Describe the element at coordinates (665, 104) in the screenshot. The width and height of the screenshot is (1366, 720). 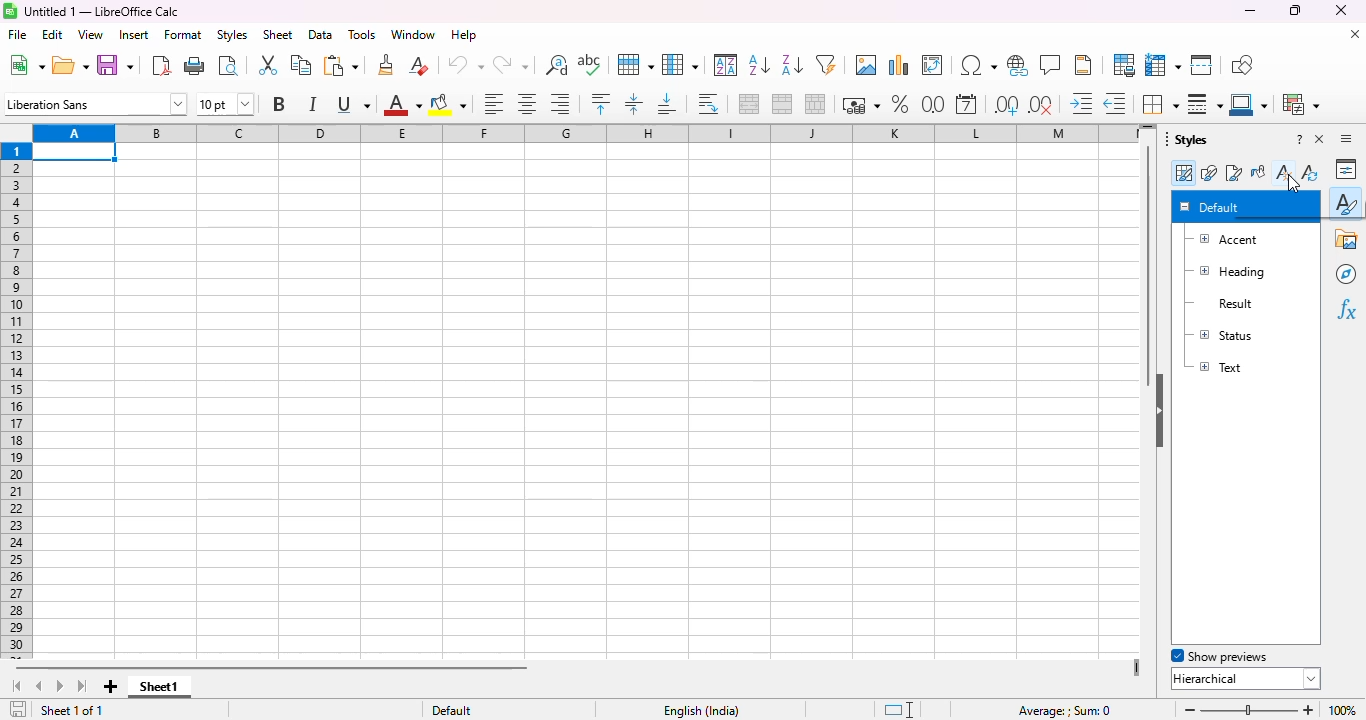
I see `align bottom` at that location.